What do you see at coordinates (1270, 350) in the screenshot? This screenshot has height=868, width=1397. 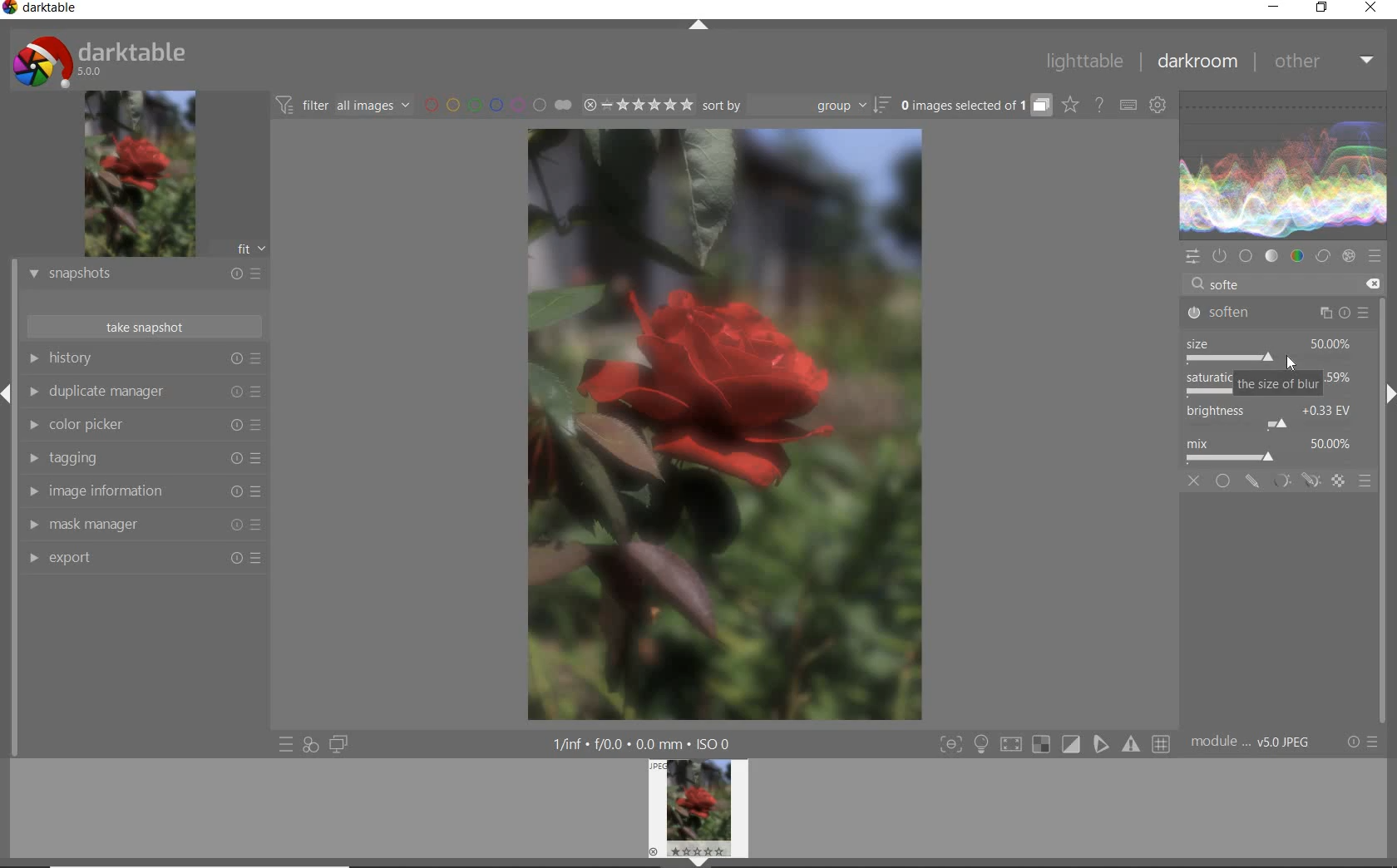 I see `size` at bounding box center [1270, 350].